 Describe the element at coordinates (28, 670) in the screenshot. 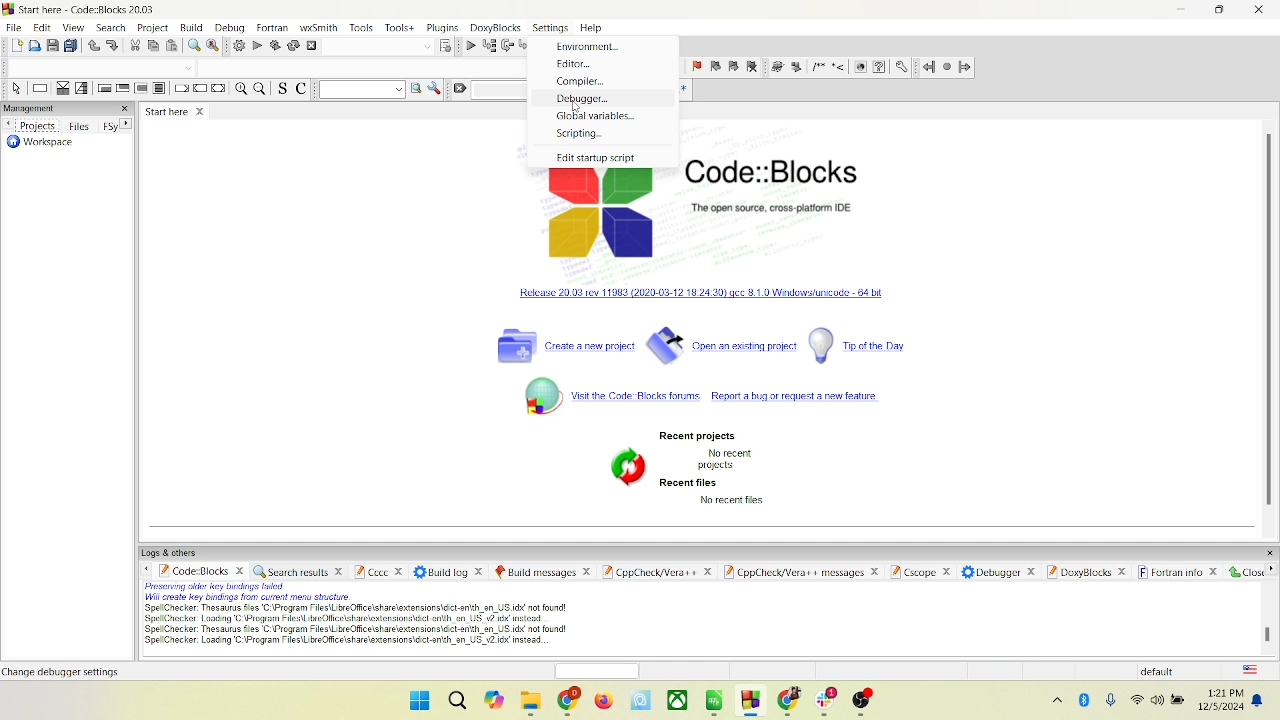

I see `text` at that location.